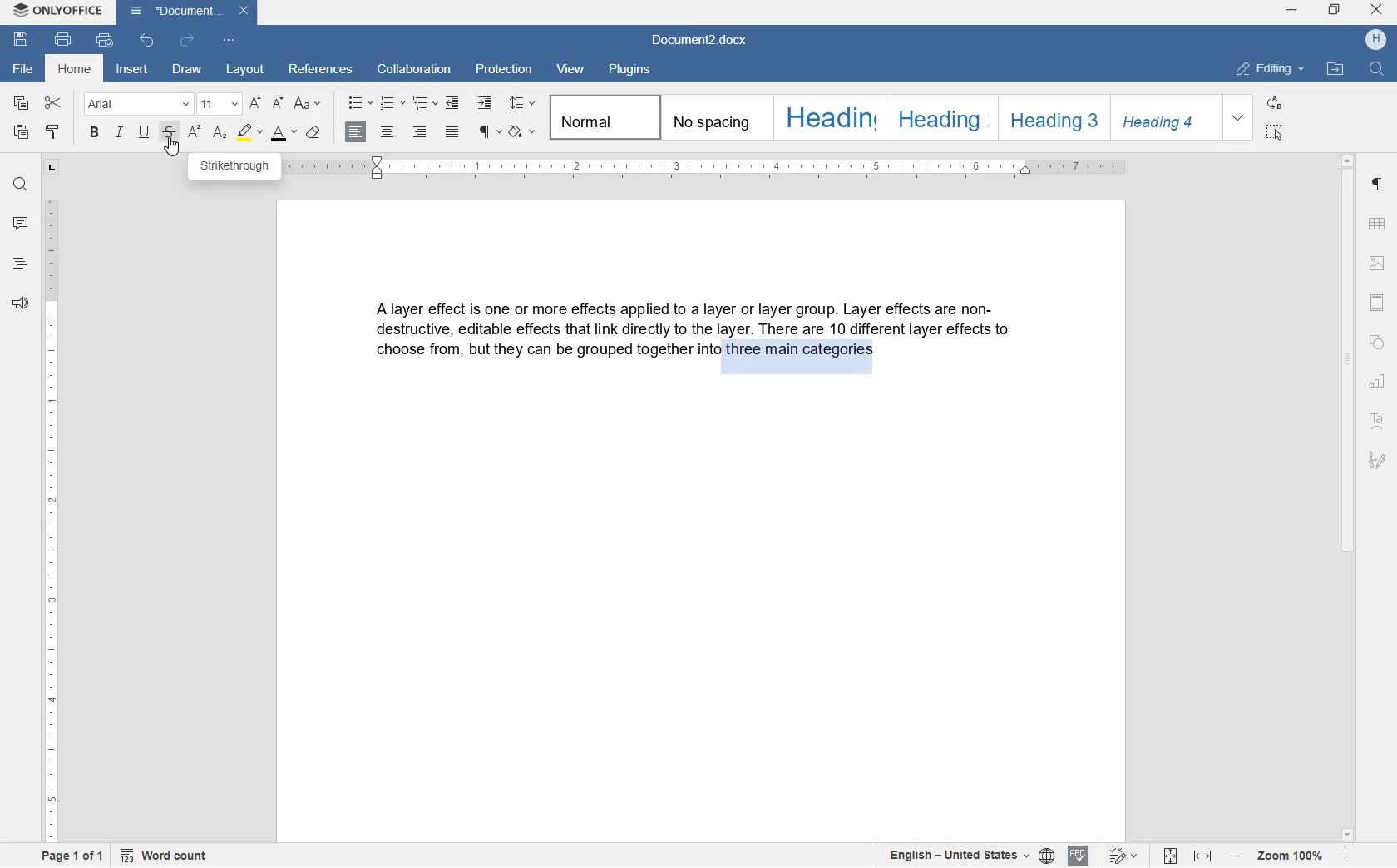  I want to click on numbering , so click(392, 103).